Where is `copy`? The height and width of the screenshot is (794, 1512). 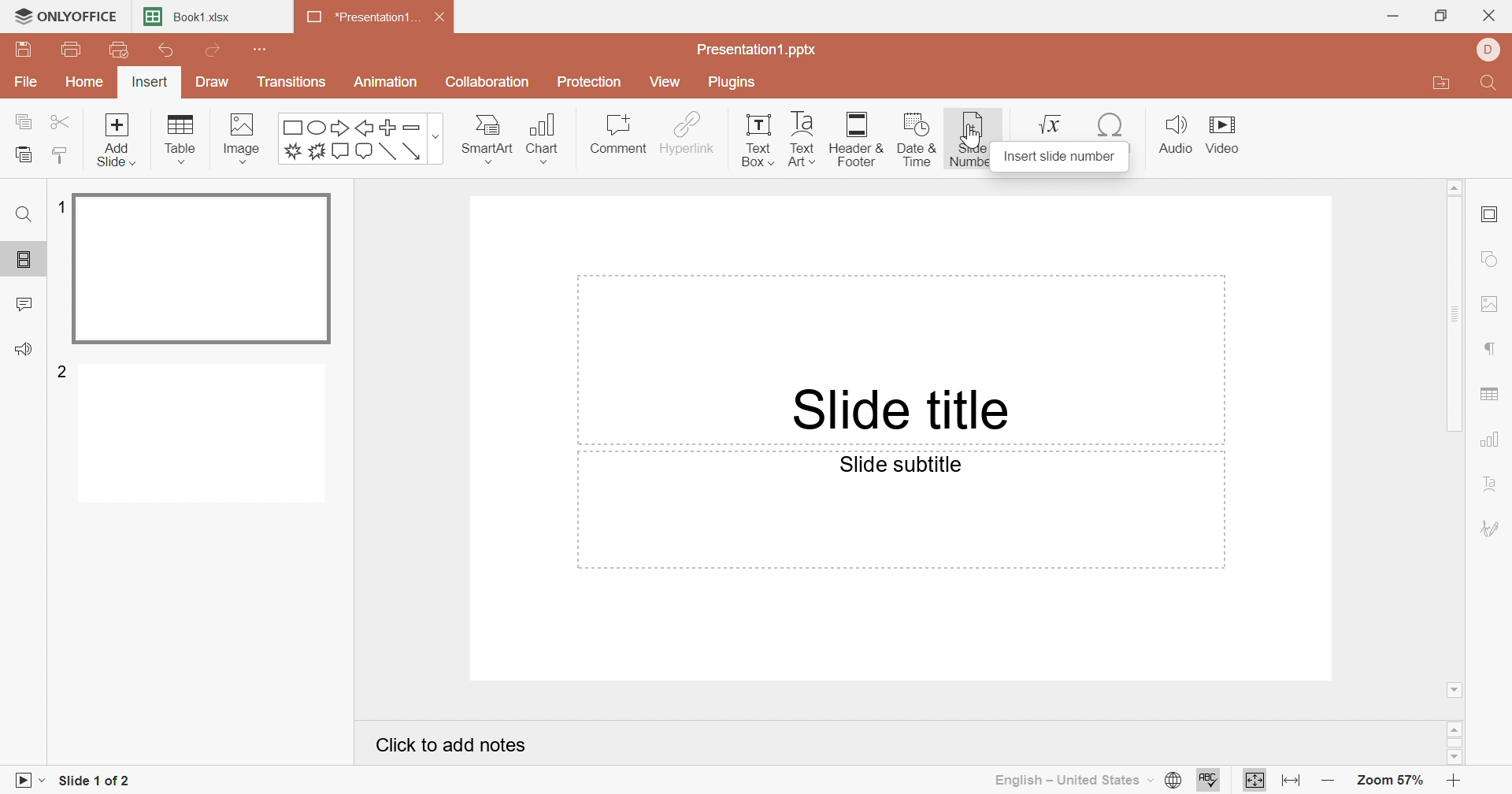 copy is located at coordinates (27, 121).